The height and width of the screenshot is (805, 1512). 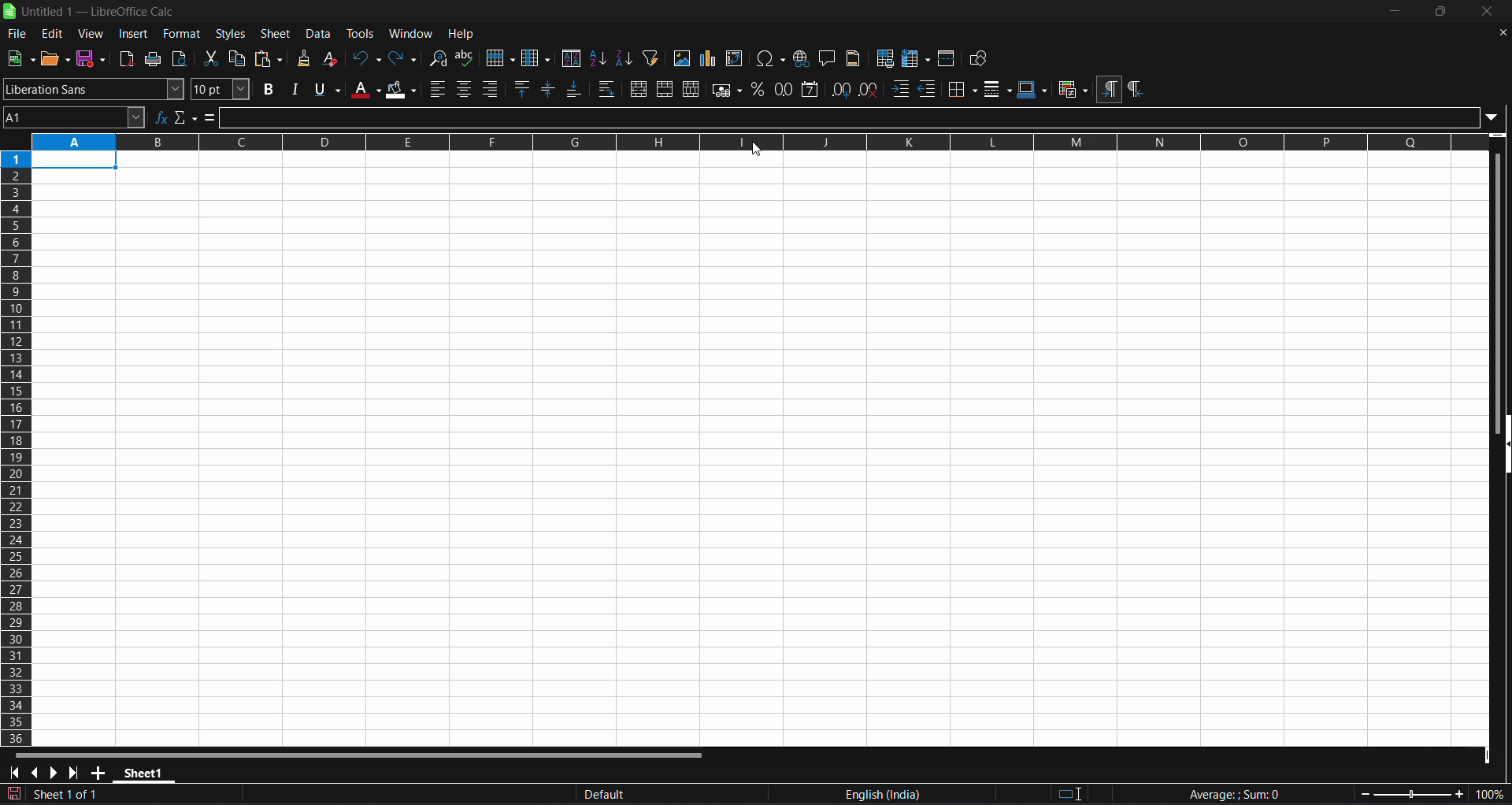 I want to click on formula, so click(x=212, y=117).